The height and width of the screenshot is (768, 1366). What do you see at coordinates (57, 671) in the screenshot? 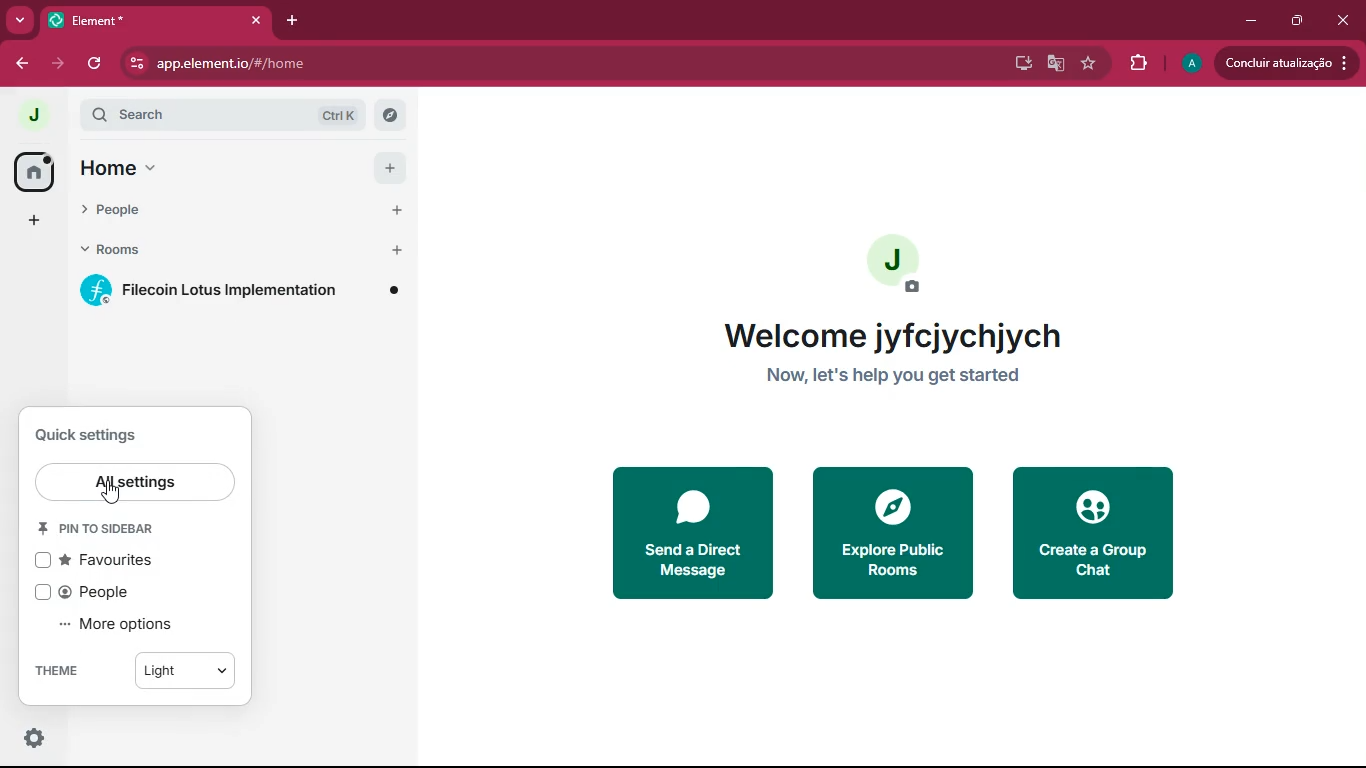
I see `theme` at bounding box center [57, 671].